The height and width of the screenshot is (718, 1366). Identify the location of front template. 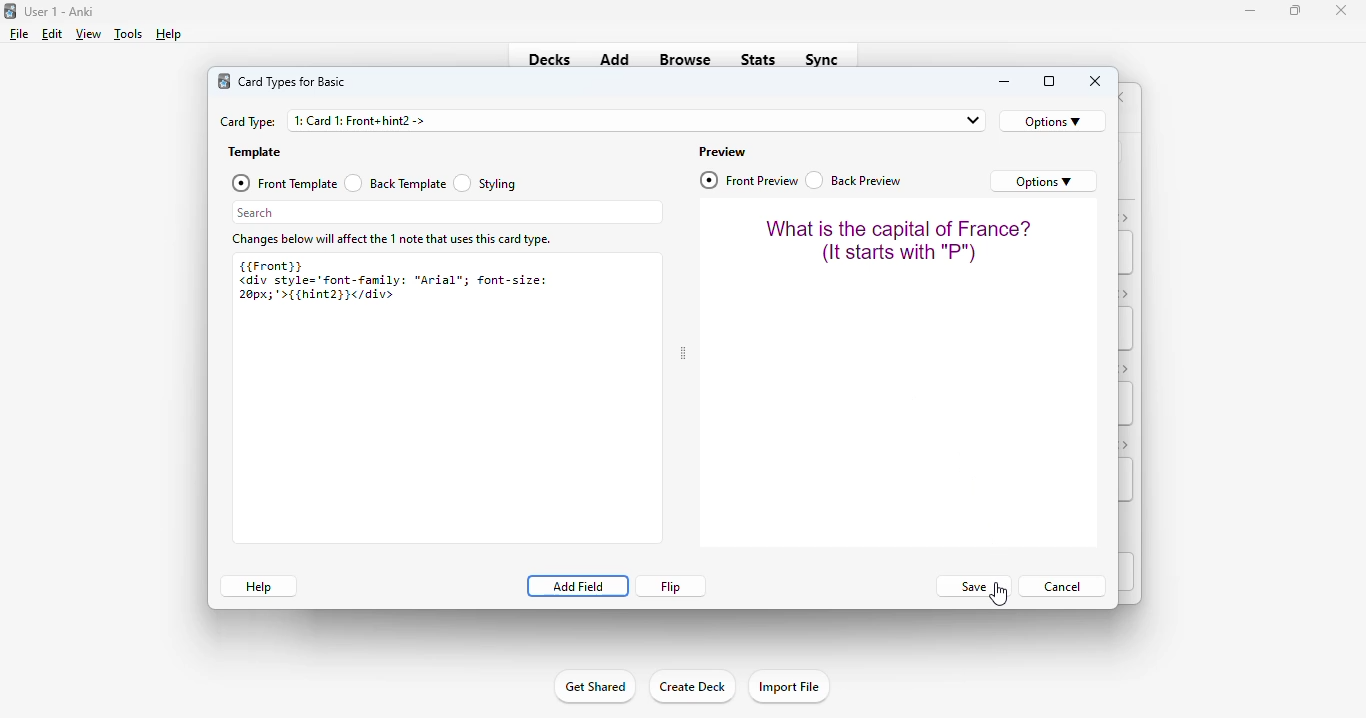
(283, 183).